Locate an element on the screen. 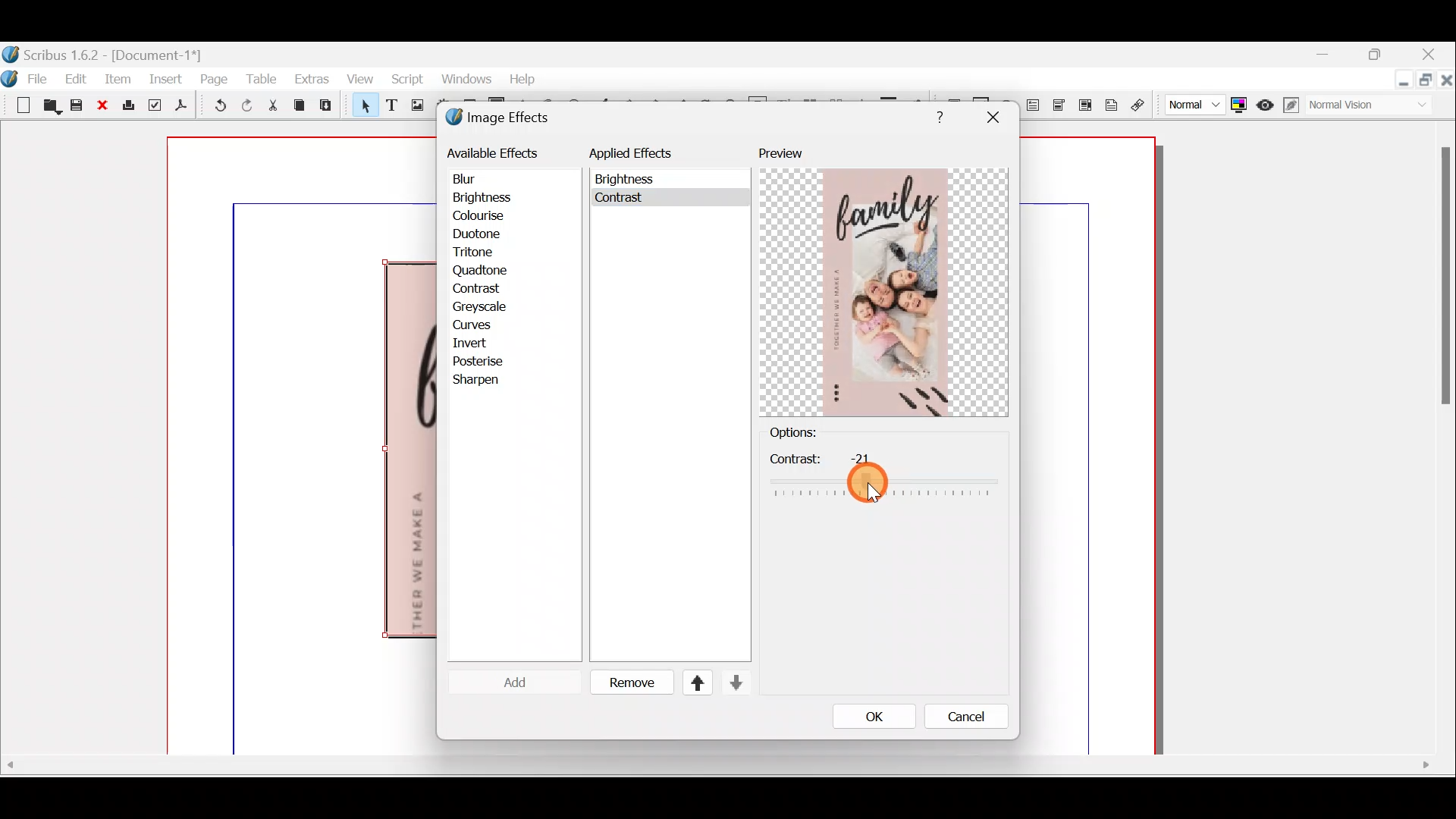   is located at coordinates (936, 115).